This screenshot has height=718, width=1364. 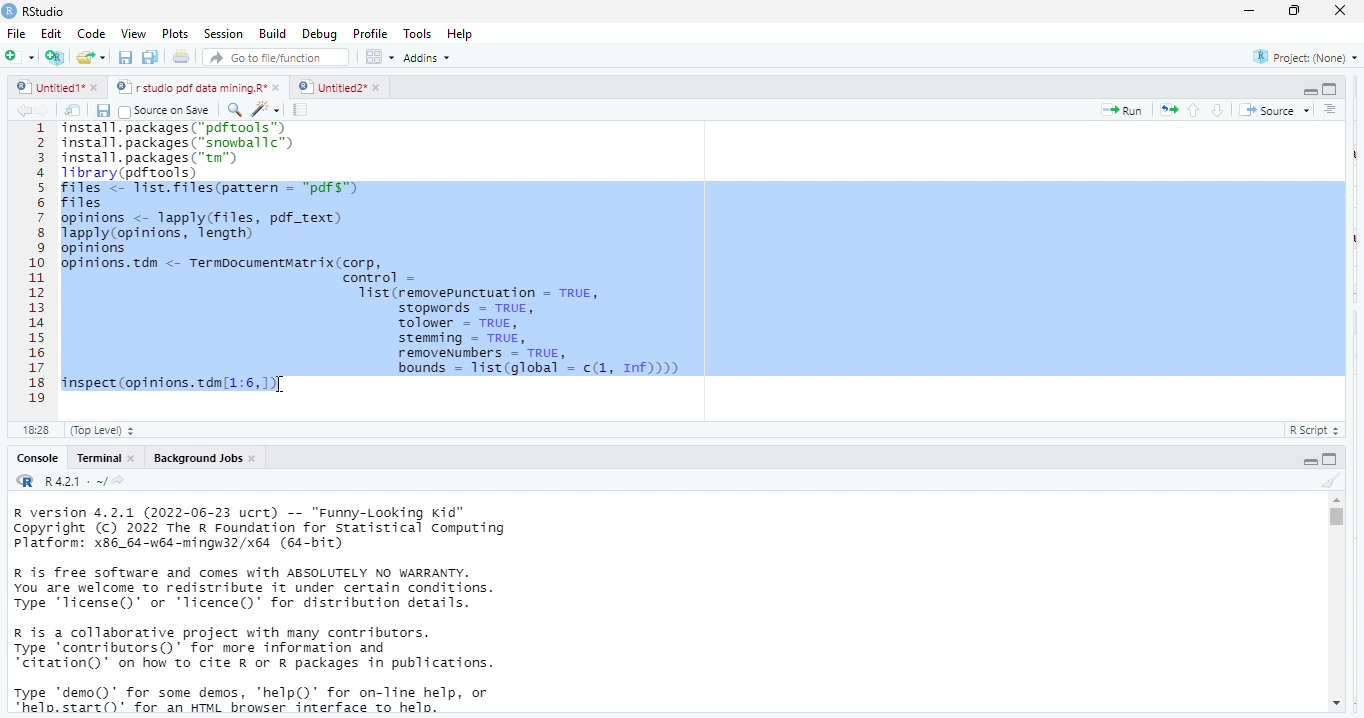 I want to click on save current document, so click(x=126, y=58).